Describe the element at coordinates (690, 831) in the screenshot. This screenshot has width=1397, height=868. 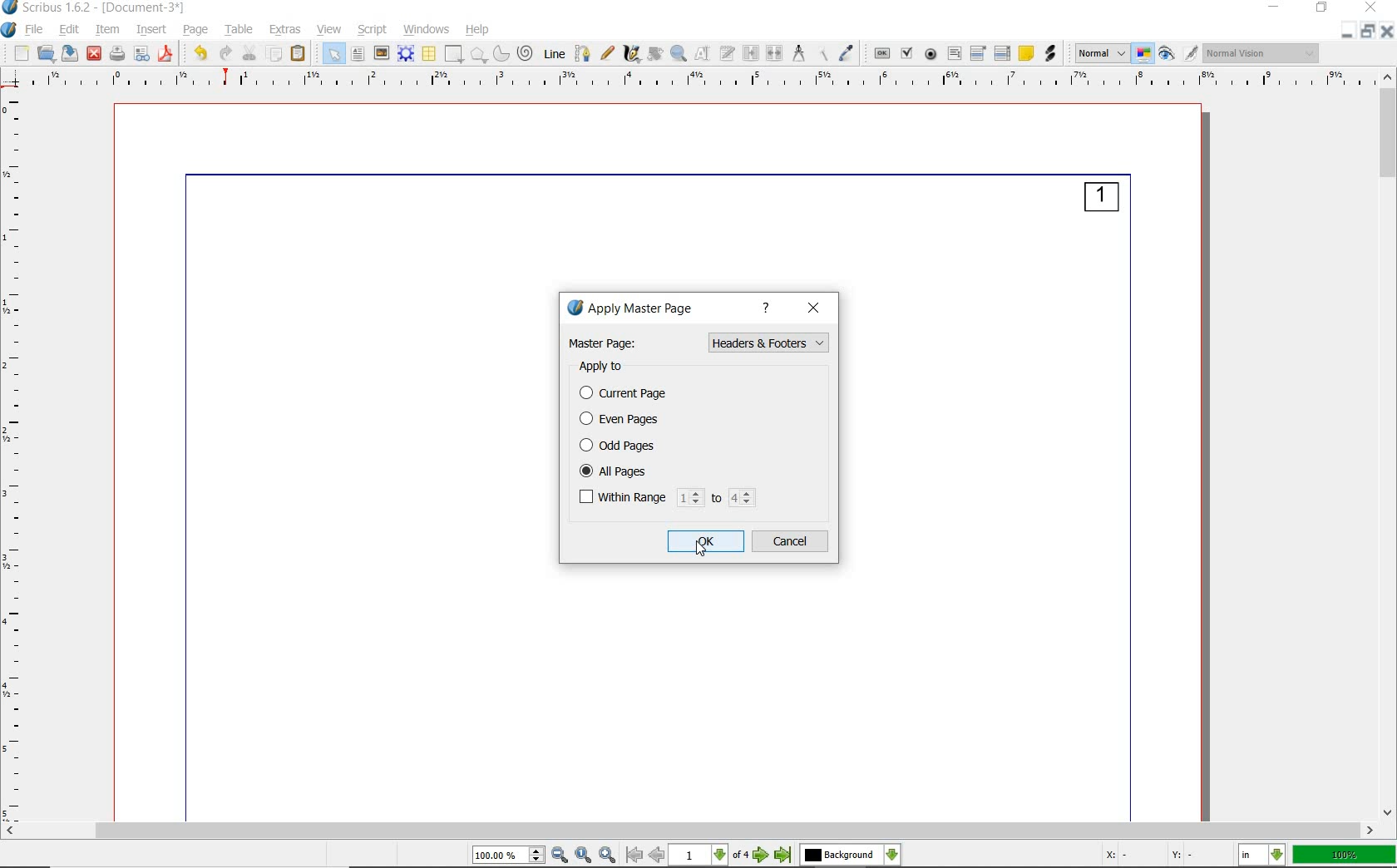
I see `scrollbar` at that location.